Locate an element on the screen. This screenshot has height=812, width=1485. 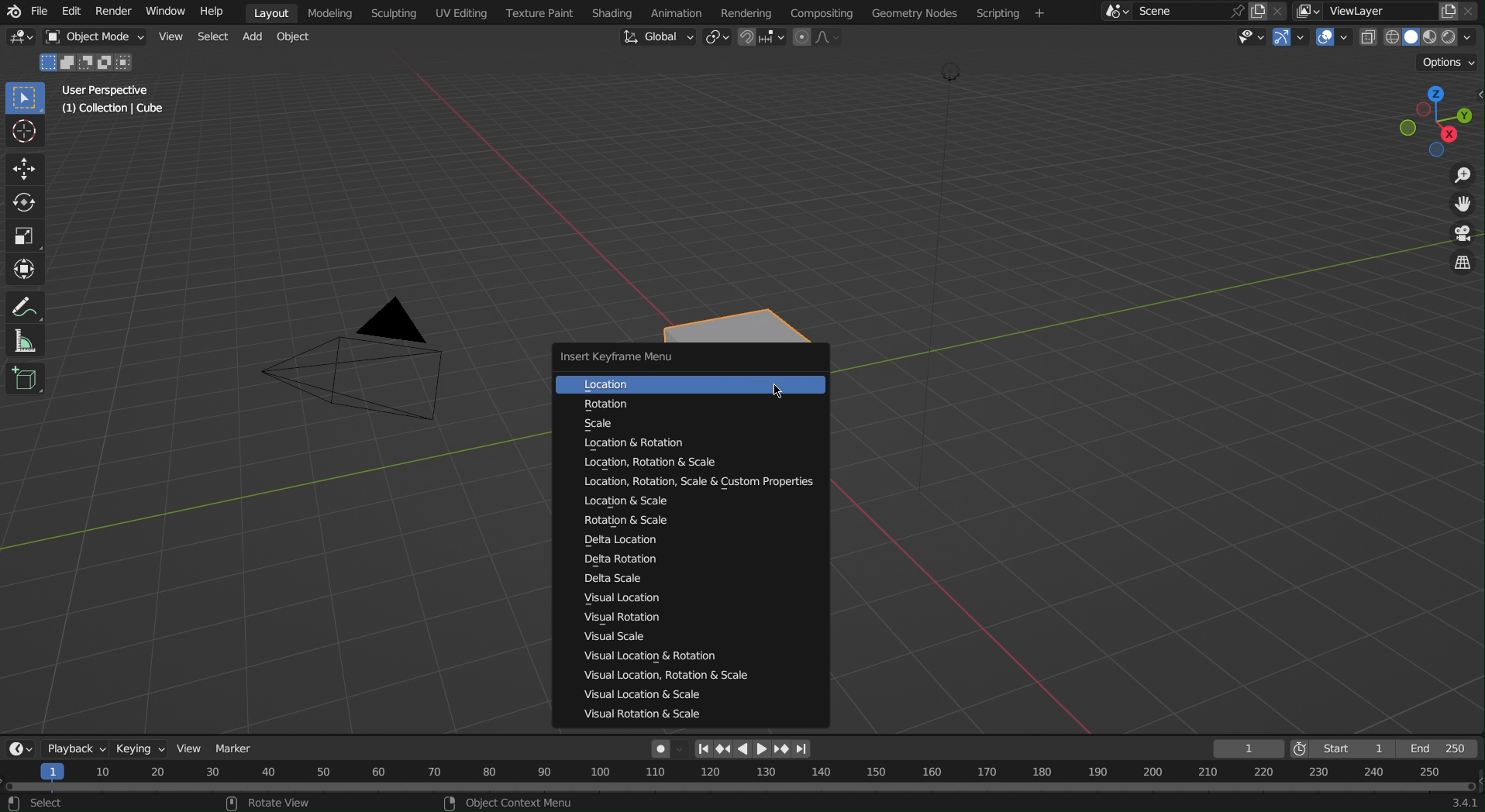
Rotation & Scale is located at coordinates (615, 521).